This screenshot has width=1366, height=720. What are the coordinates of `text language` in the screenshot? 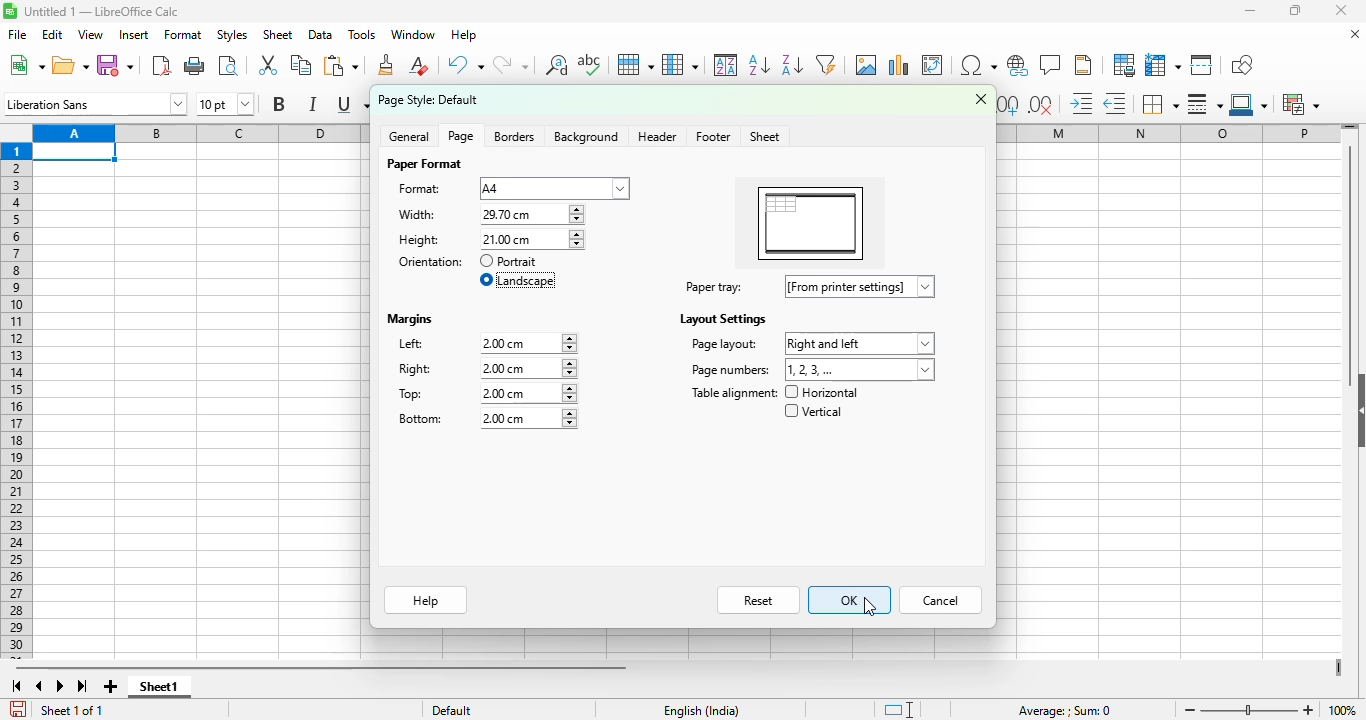 It's located at (702, 711).